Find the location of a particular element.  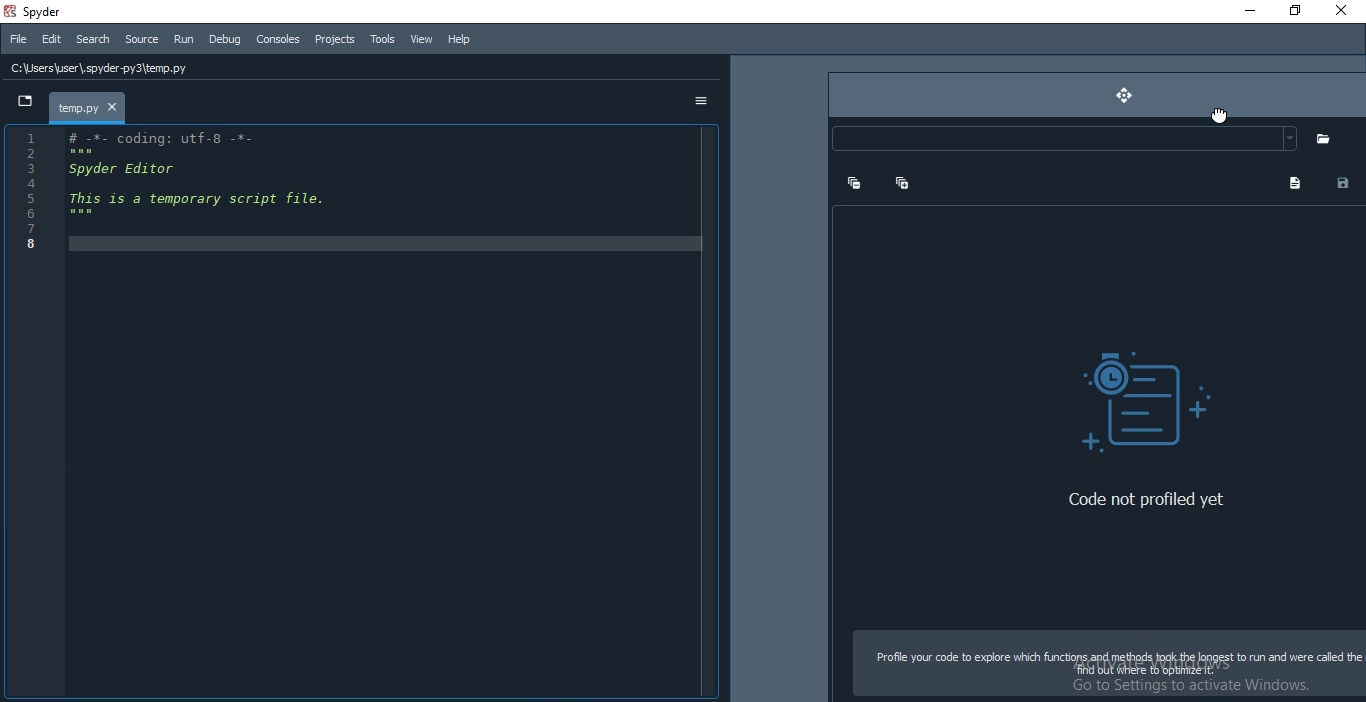

Minimise is located at coordinates (1240, 11).